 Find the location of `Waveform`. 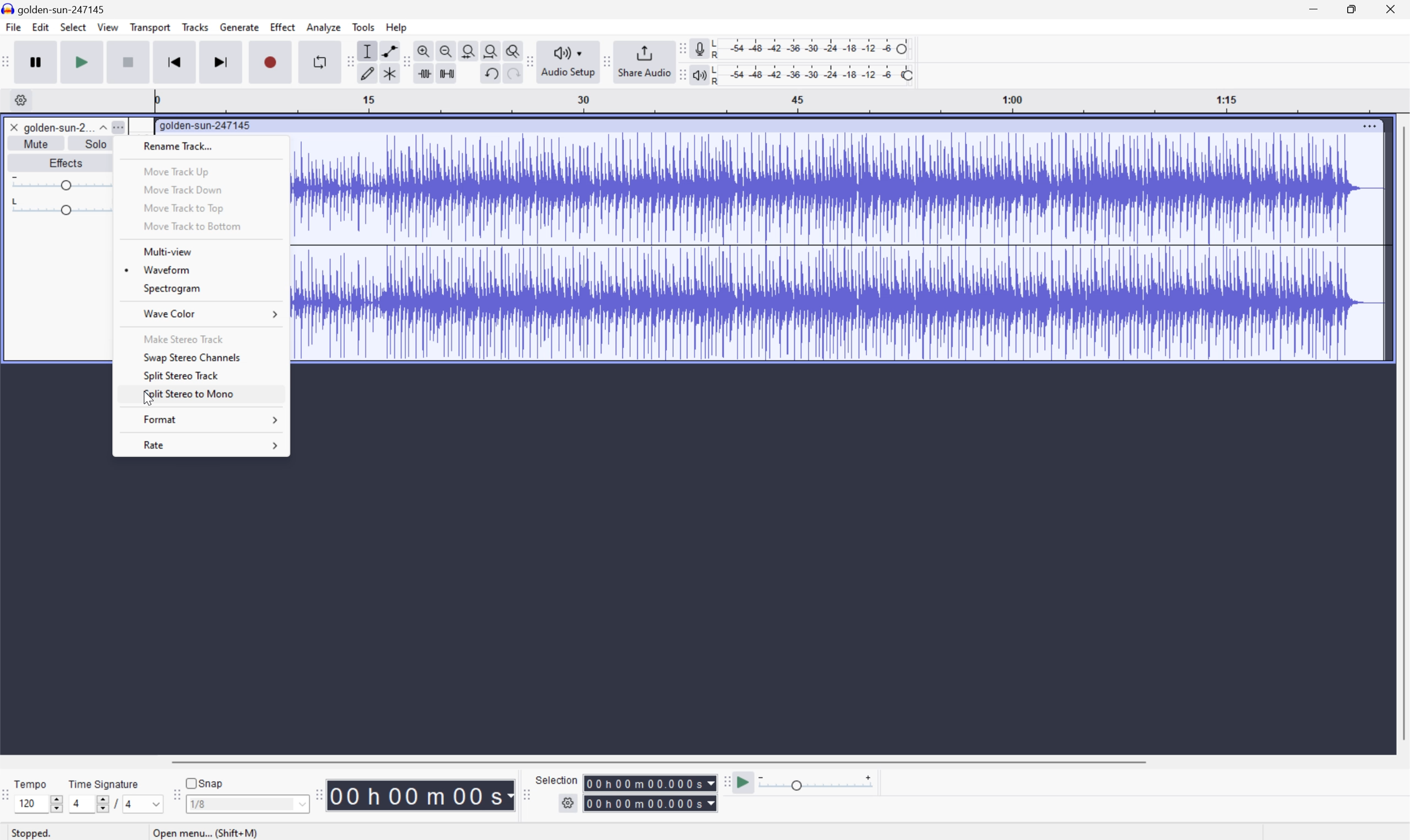

Waveform is located at coordinates (166, 269).